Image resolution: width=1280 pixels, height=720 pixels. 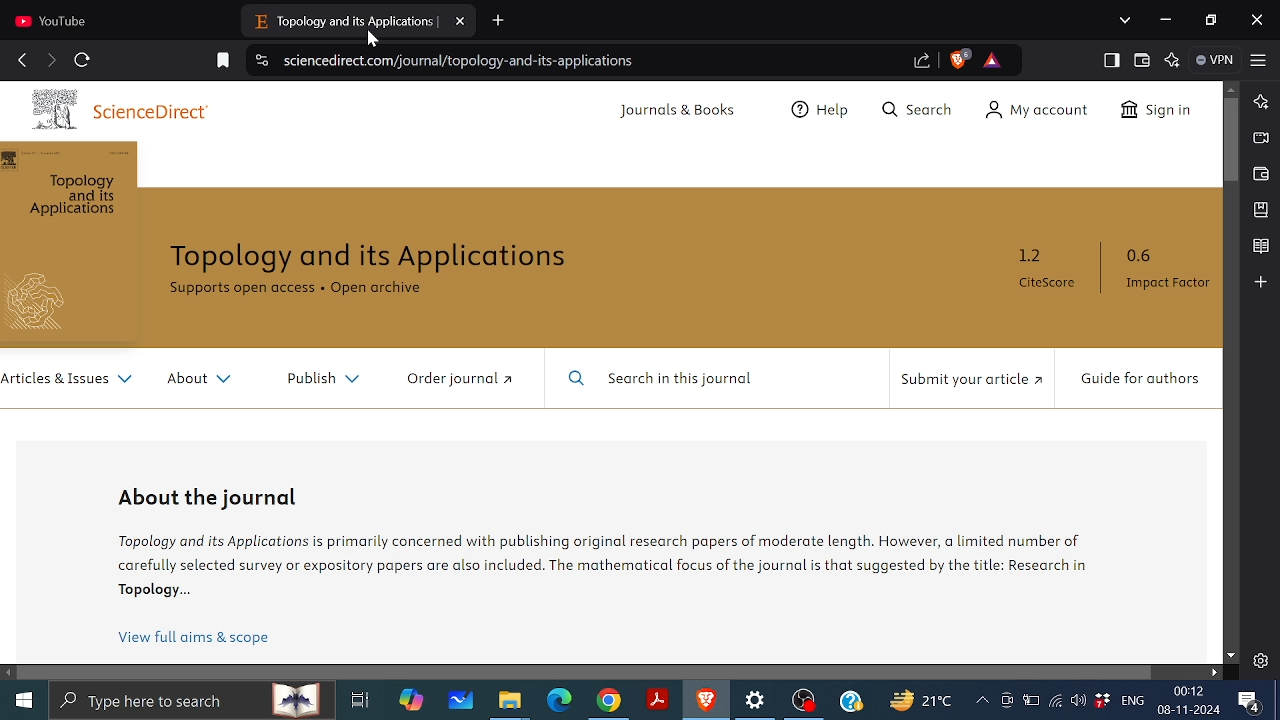 What do you see at coordinates (1257, 22) in the screenshot?
I see `close` at bounding box center [1257, 22].